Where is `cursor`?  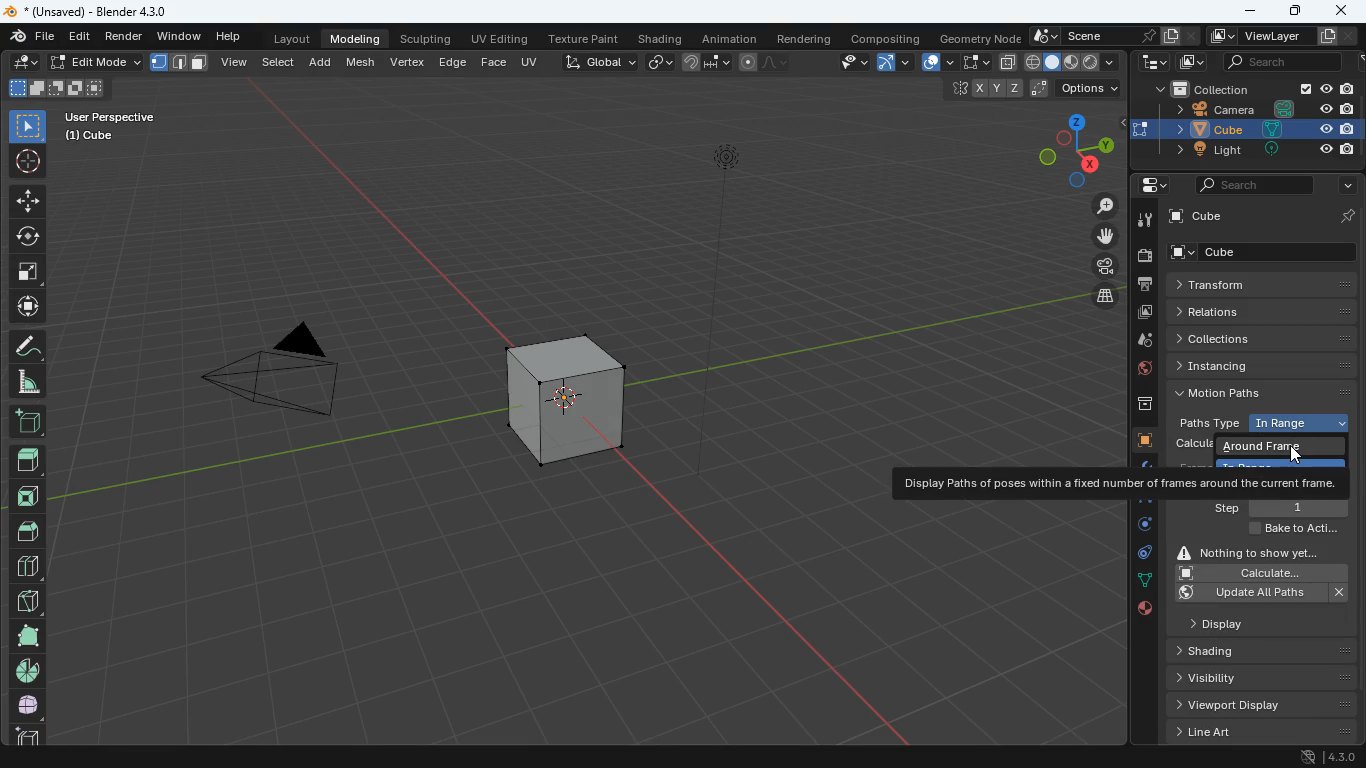
cursor is located at coordinates (1301, 452).